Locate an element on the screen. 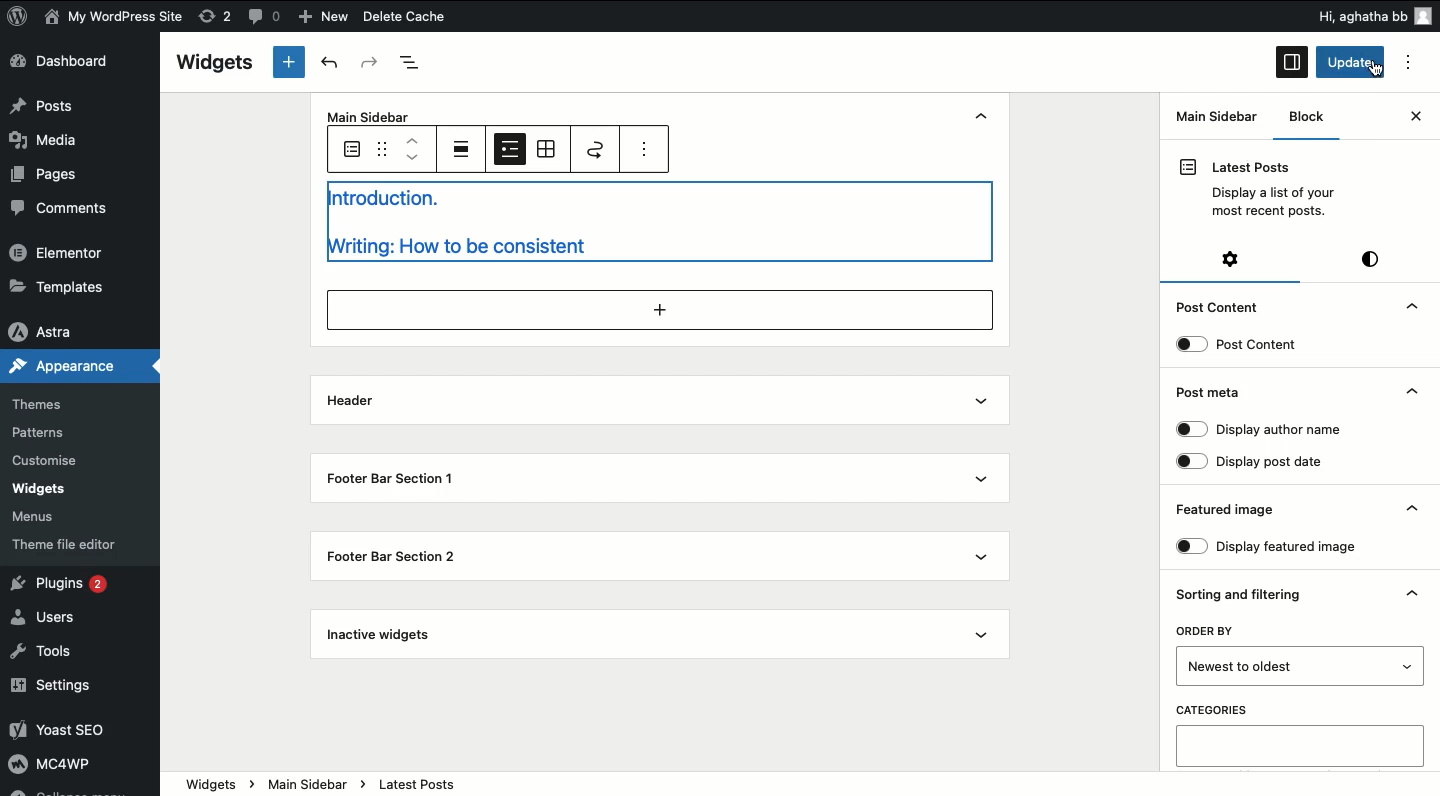 The height and width of the screenshot is (796, 1440). Elementor is located at coordinates (58, 250).